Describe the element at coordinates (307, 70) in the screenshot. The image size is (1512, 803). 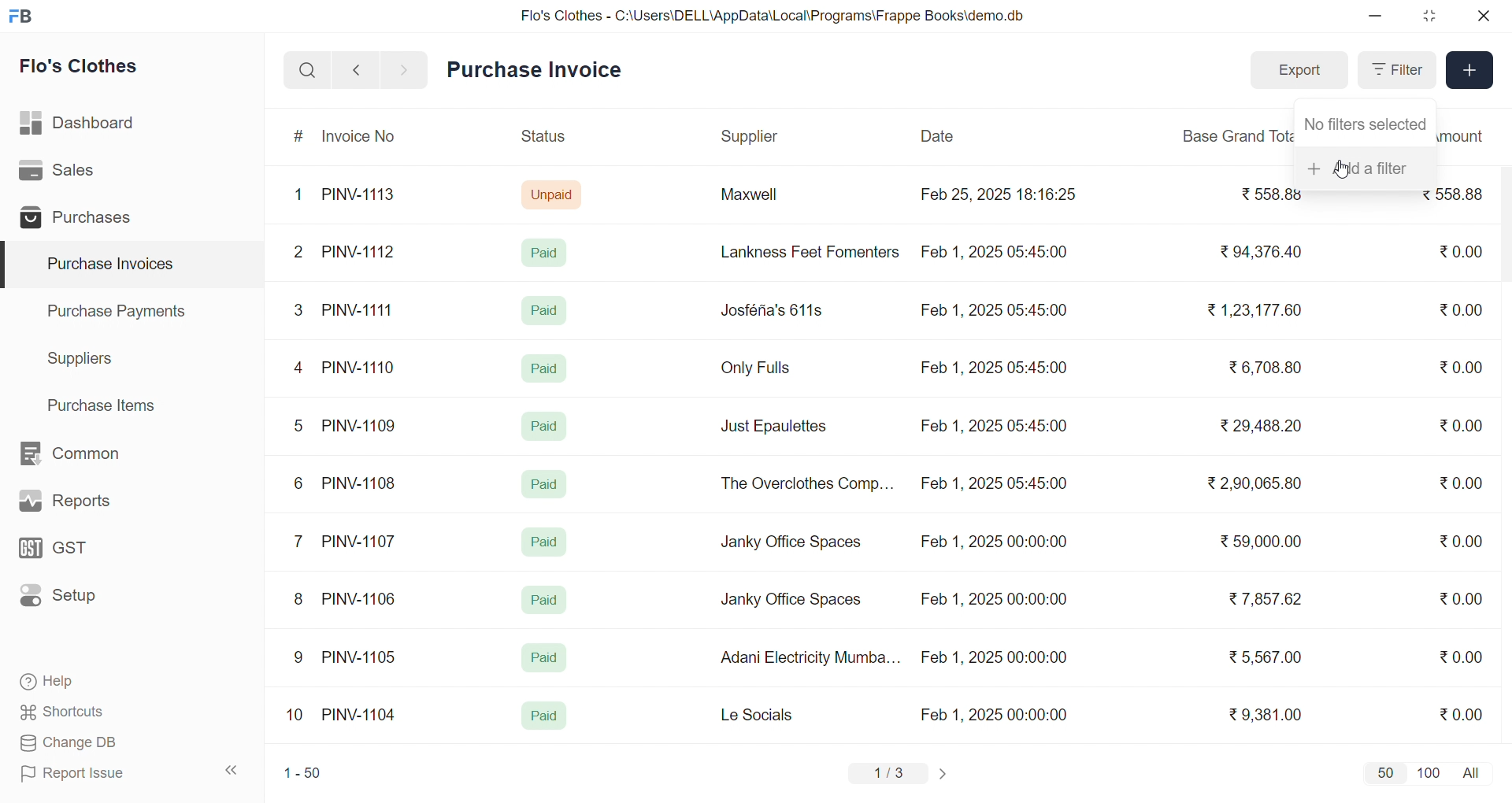
I see `search` at that location.